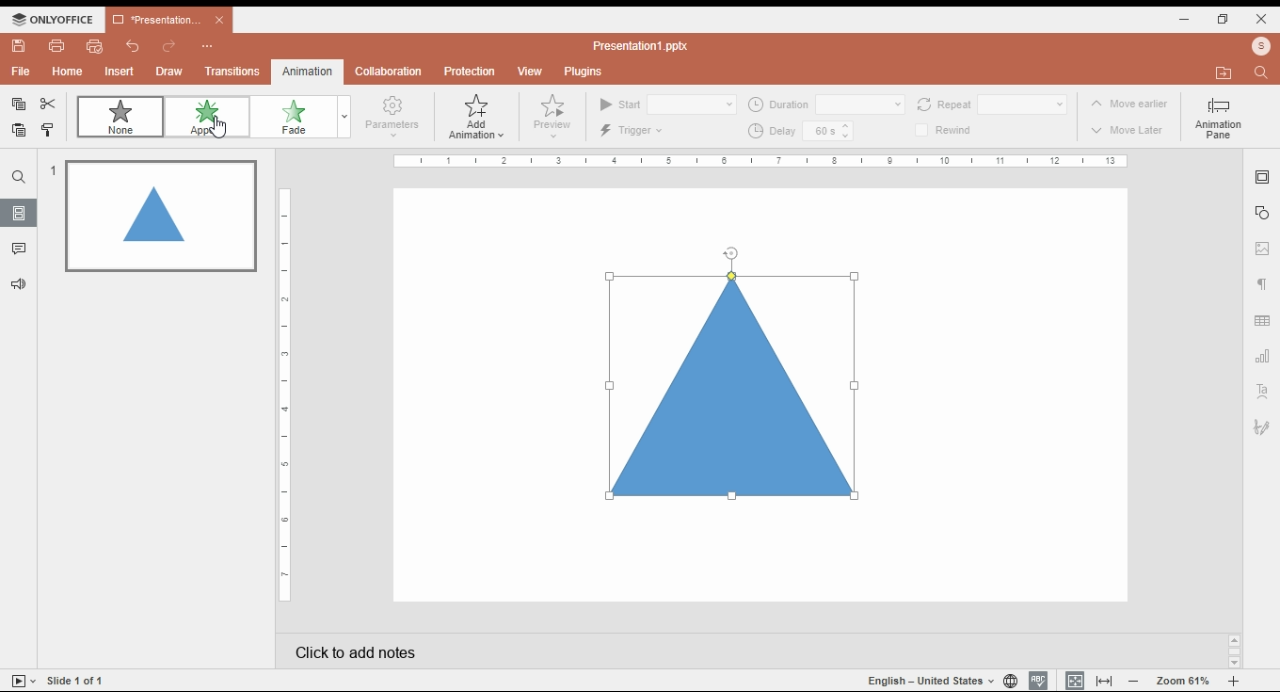 The width and height of the screenshot is (1280, 692). Describe the element at coordinates (1121, 102) in the screenshot. I see `move erlier` at that location.